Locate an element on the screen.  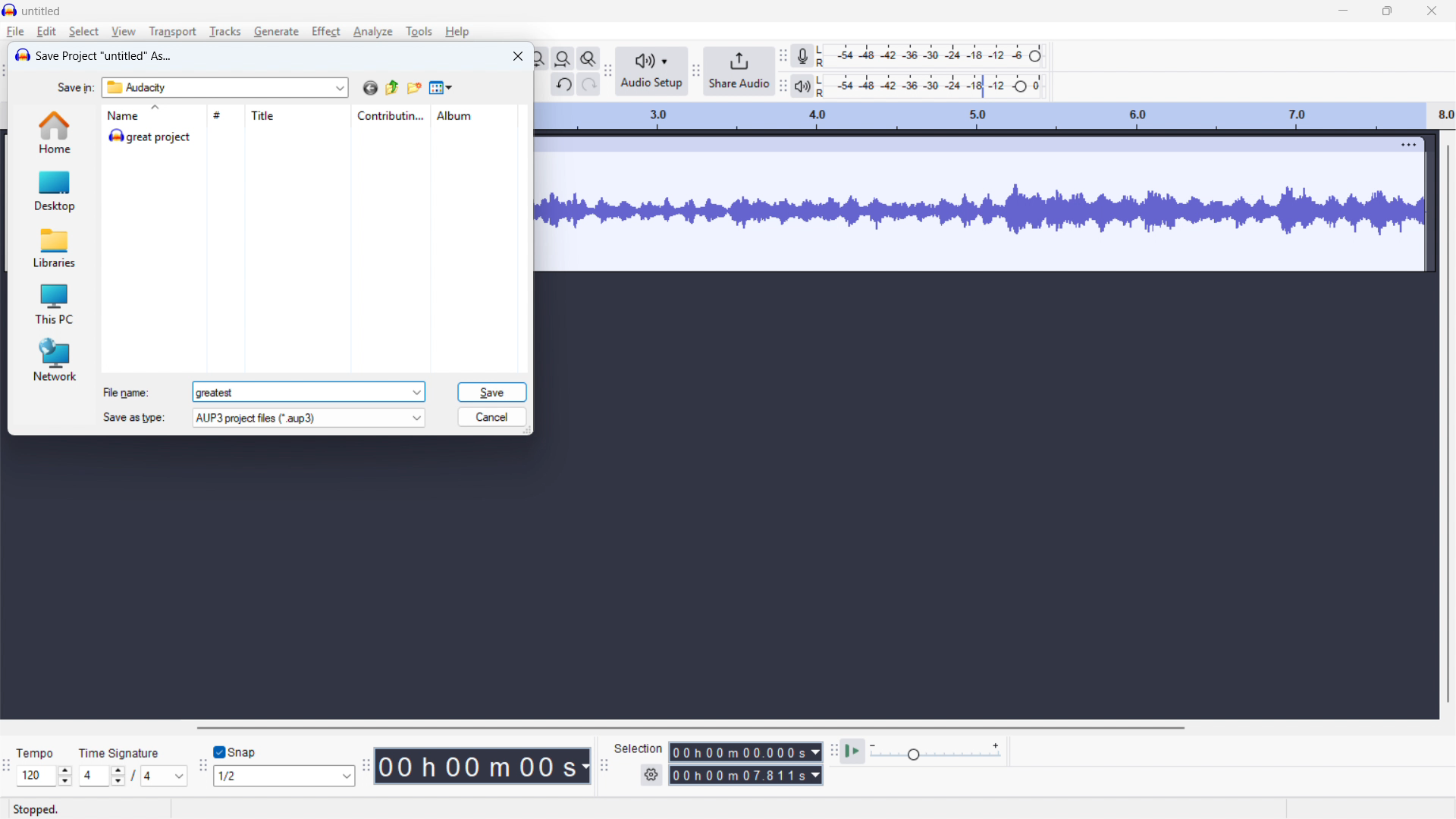
click to drag is located at coordinates (955, 145).